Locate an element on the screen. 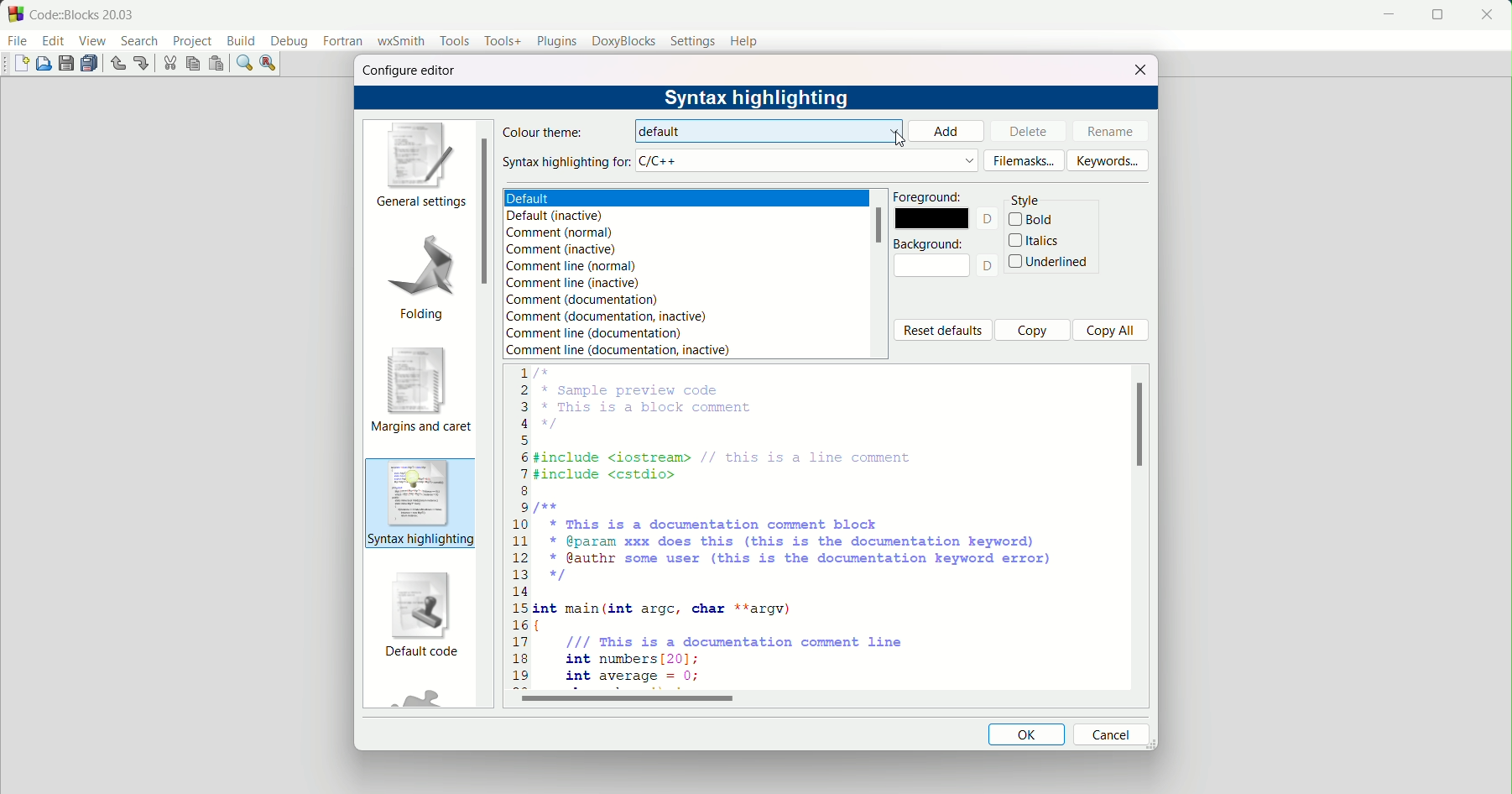 The width and height of the screenshot is (1512, 794). doxyblocks is located at coordinates (624, 41).